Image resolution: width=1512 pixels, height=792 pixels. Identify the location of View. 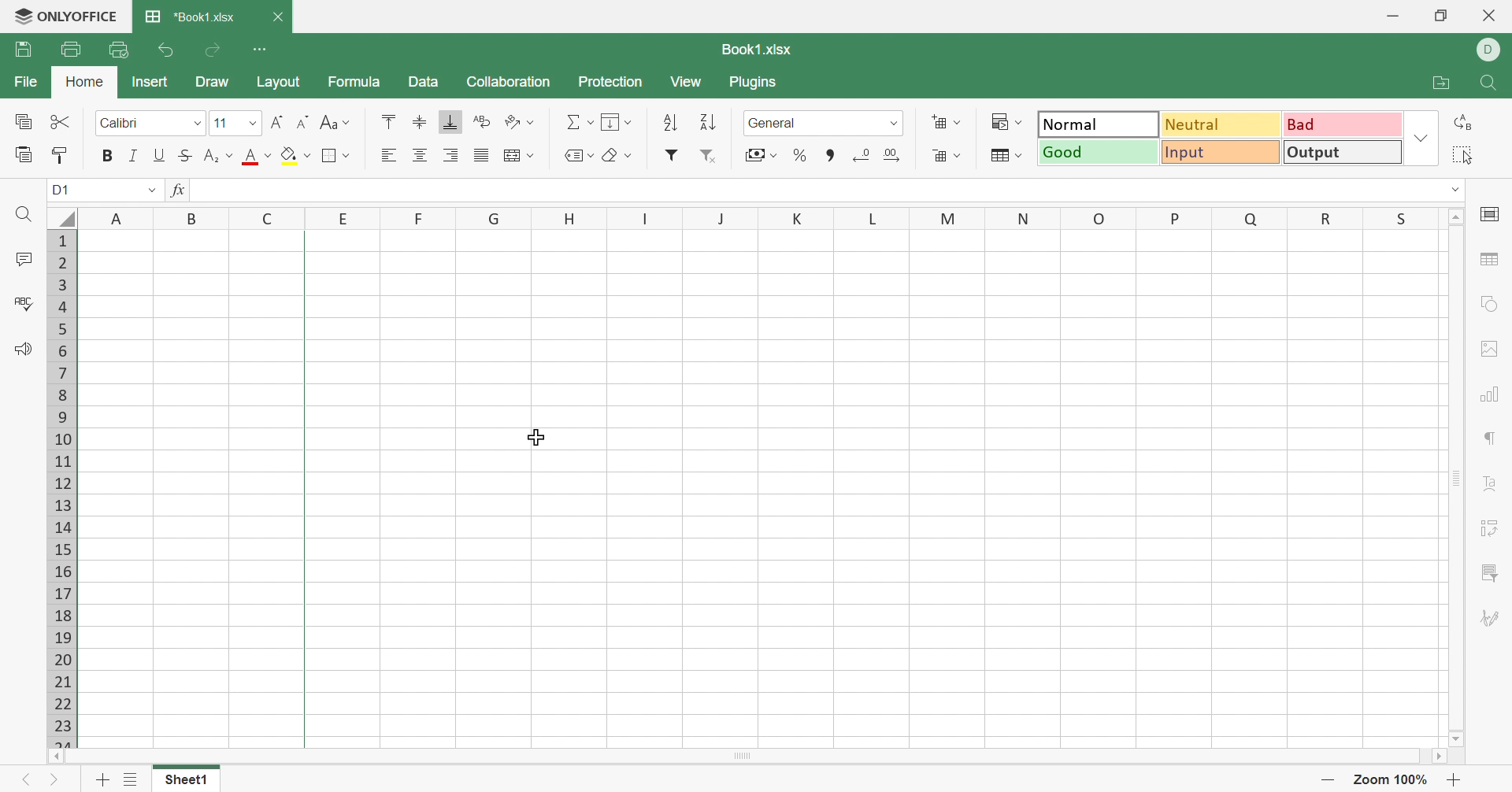
(688, 83).